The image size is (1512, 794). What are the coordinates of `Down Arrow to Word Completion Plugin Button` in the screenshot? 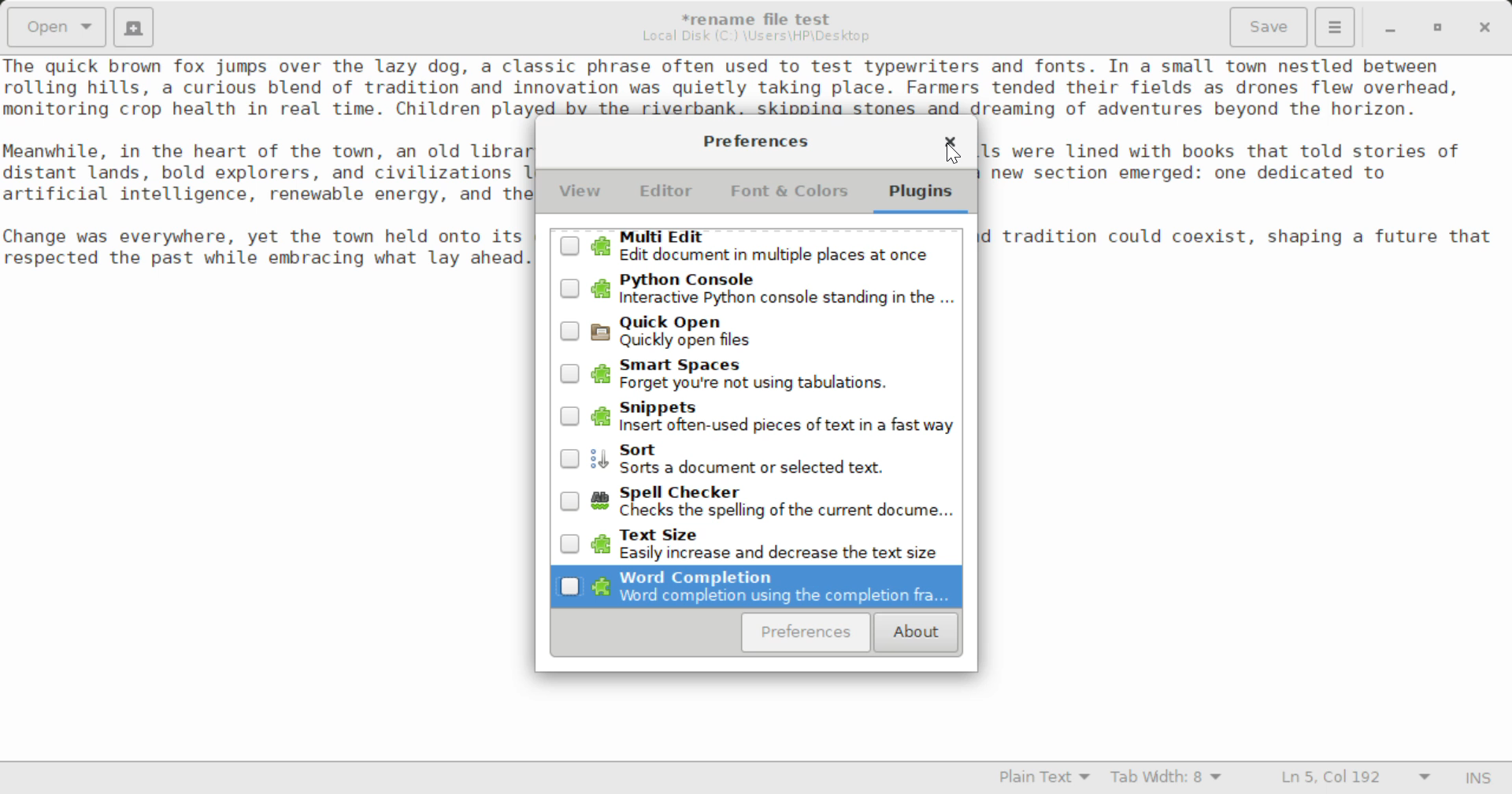 It's located at (758, 589).